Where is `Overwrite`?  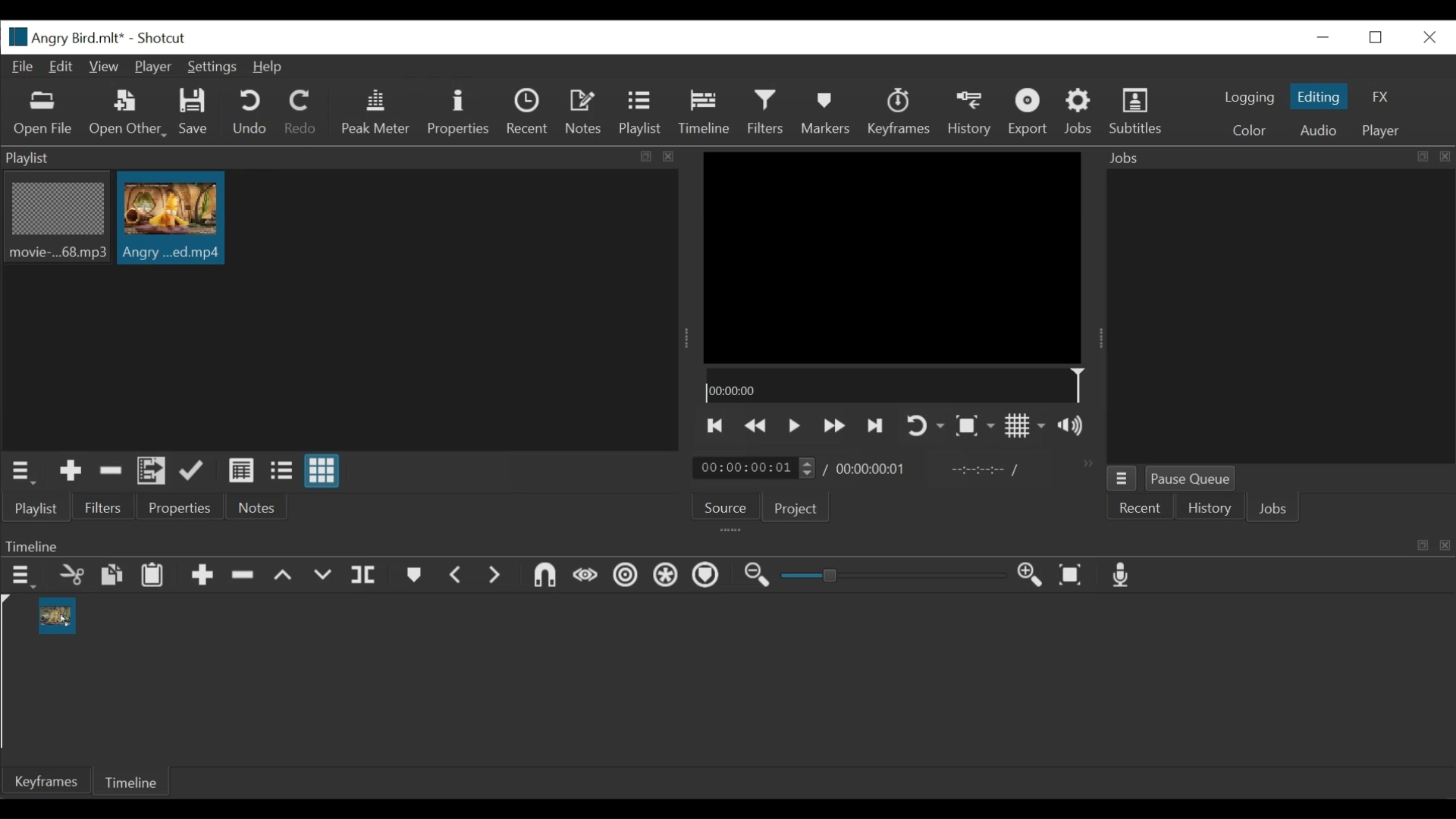 Overwrite is located at coordinates (324, 576).